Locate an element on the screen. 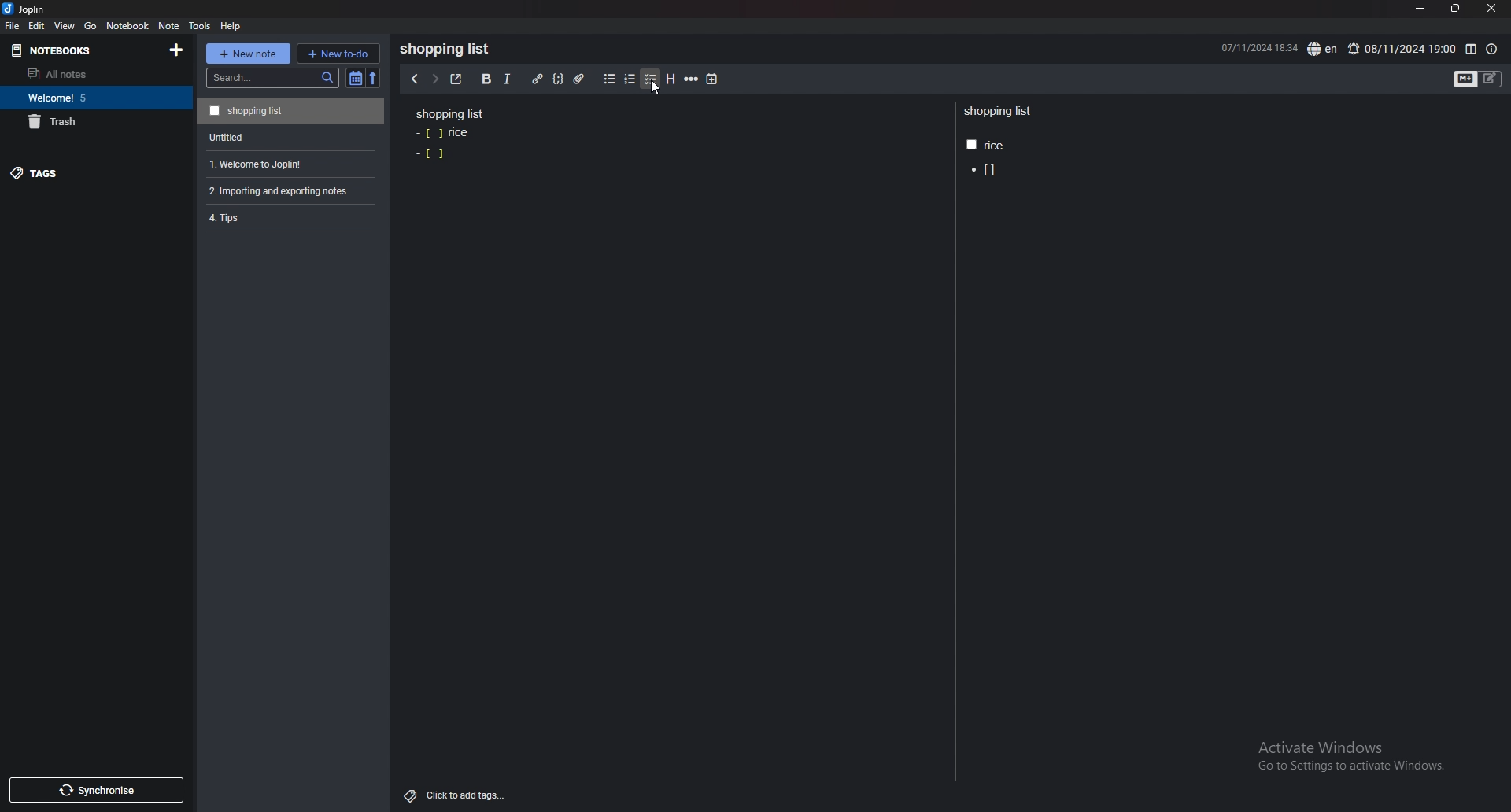  bold is located at coordinates (486, 79).